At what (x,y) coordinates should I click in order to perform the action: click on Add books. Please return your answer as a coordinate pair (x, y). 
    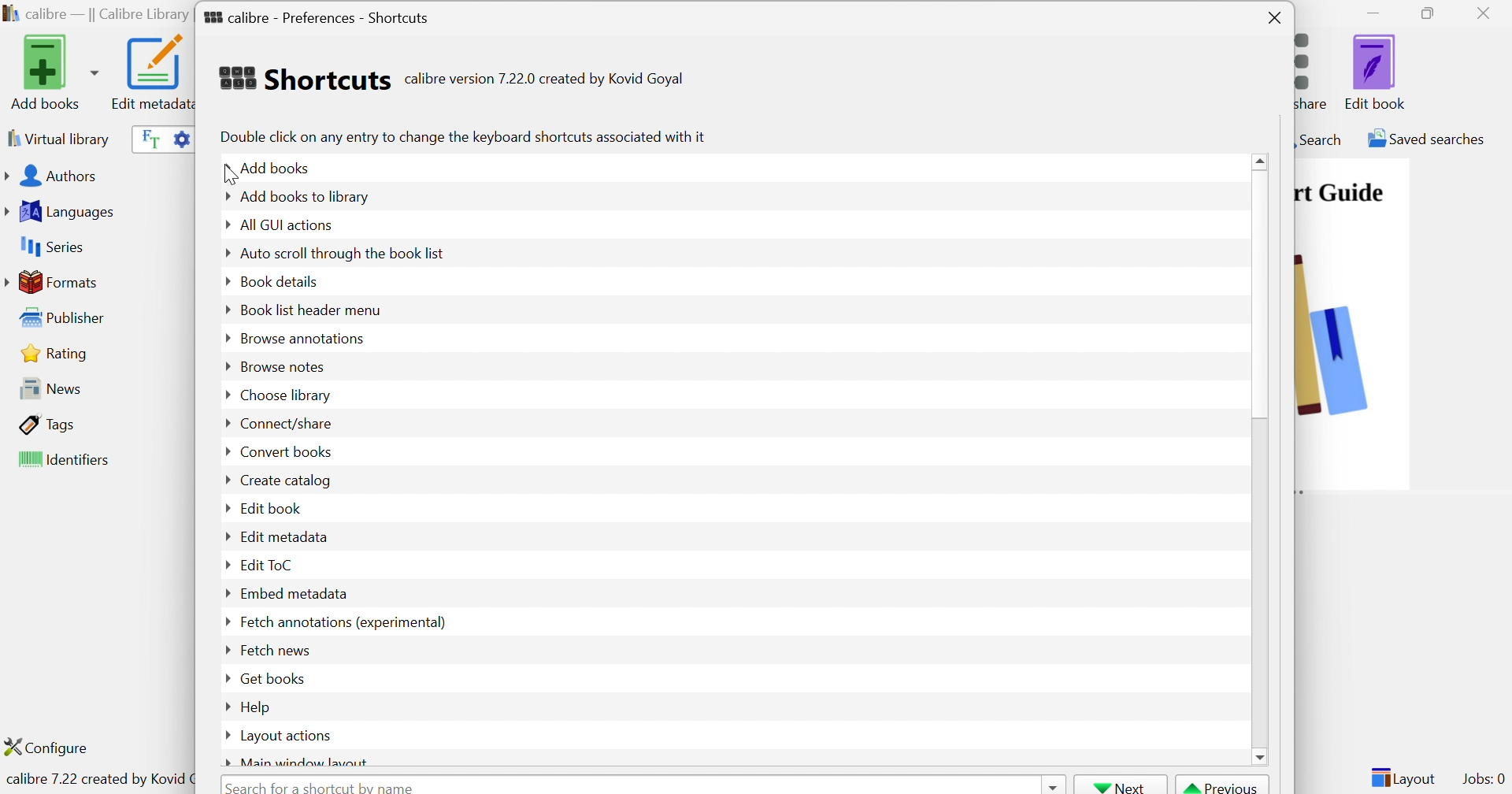
    Looking at the image, I should click on (279, 166).